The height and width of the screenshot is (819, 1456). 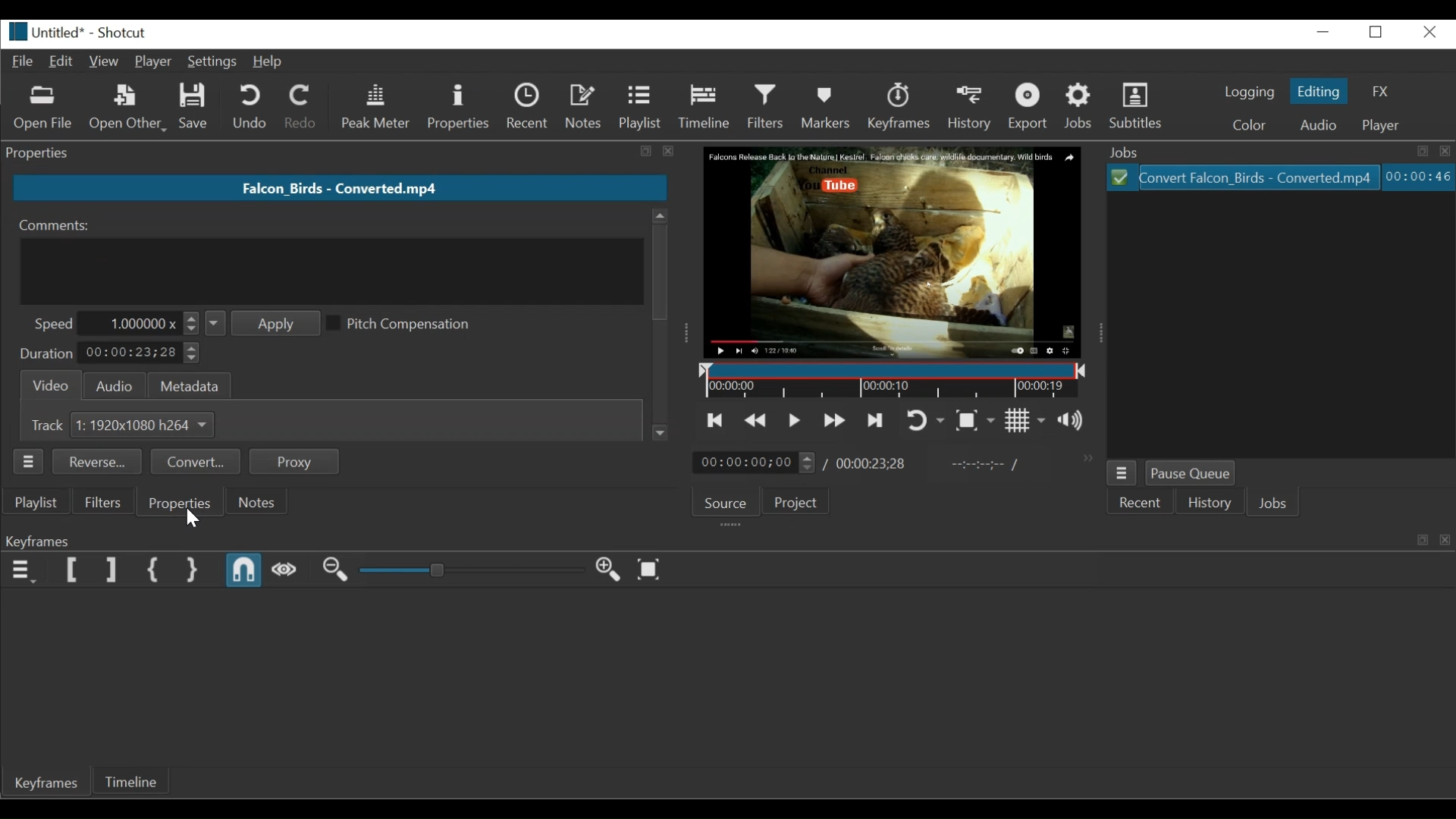 What do you see at coordinates (984, 464) in the screenshot?
I see `In point` at bounding box center [984, 464].